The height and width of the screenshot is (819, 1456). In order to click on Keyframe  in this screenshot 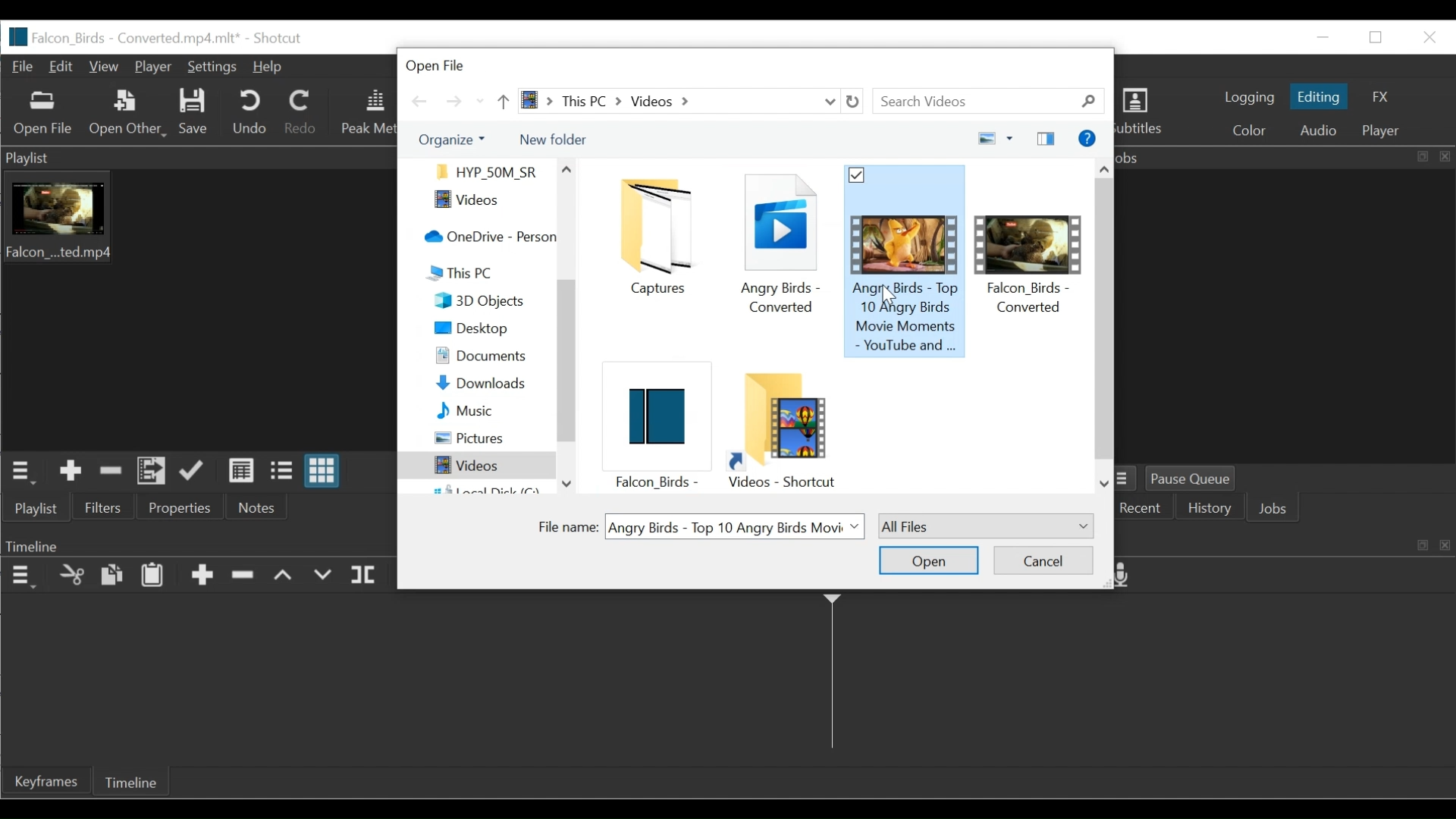, I will do `click(45, 780)`.